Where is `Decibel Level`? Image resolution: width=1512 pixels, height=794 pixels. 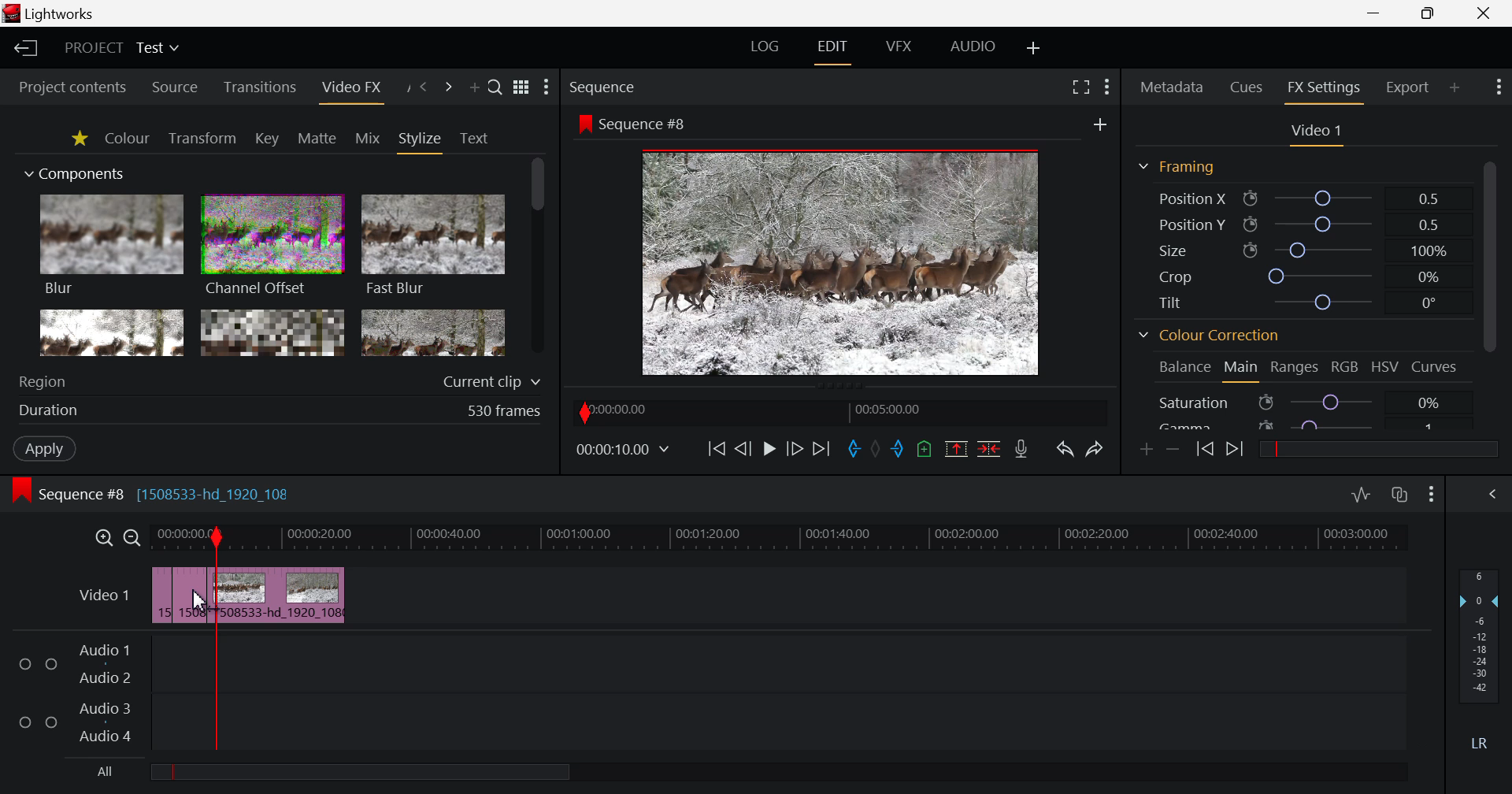 Decibel Level is located at coordinates (1480, 655).